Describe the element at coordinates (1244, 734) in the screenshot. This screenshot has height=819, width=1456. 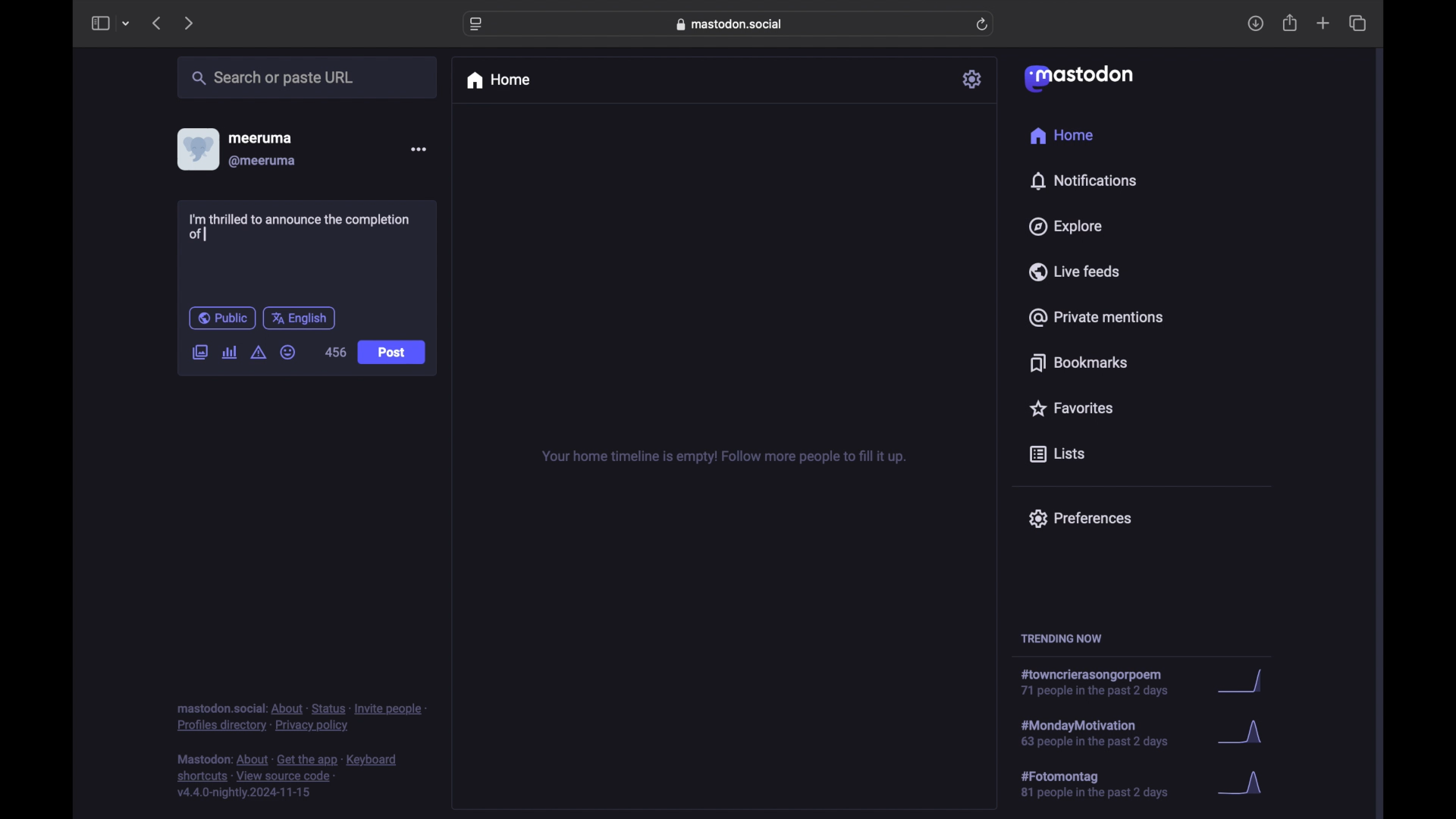
I see `graph` at that location.